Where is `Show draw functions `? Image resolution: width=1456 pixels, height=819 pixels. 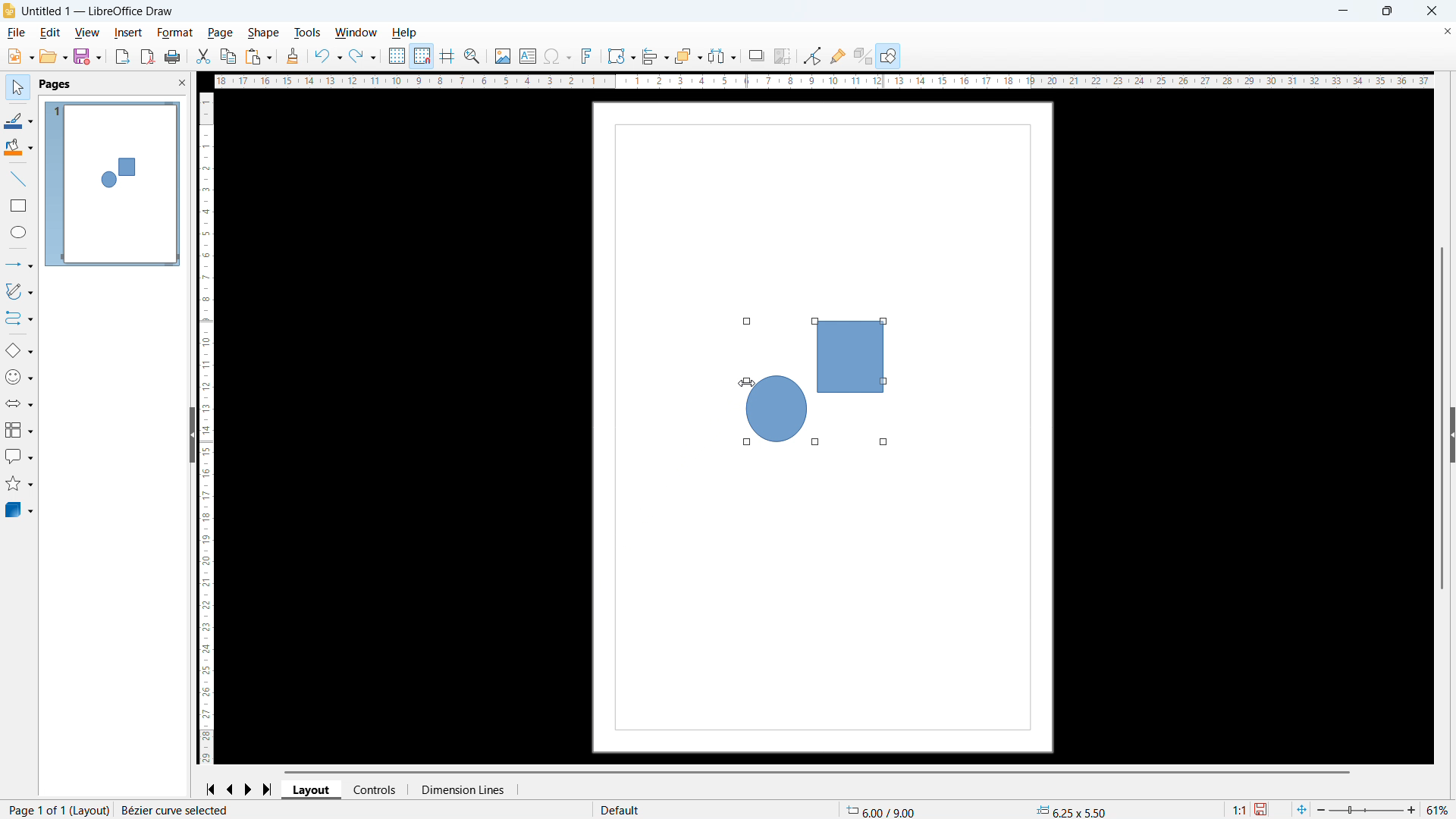
Show draw functions  is located at coordinates (889, 55).